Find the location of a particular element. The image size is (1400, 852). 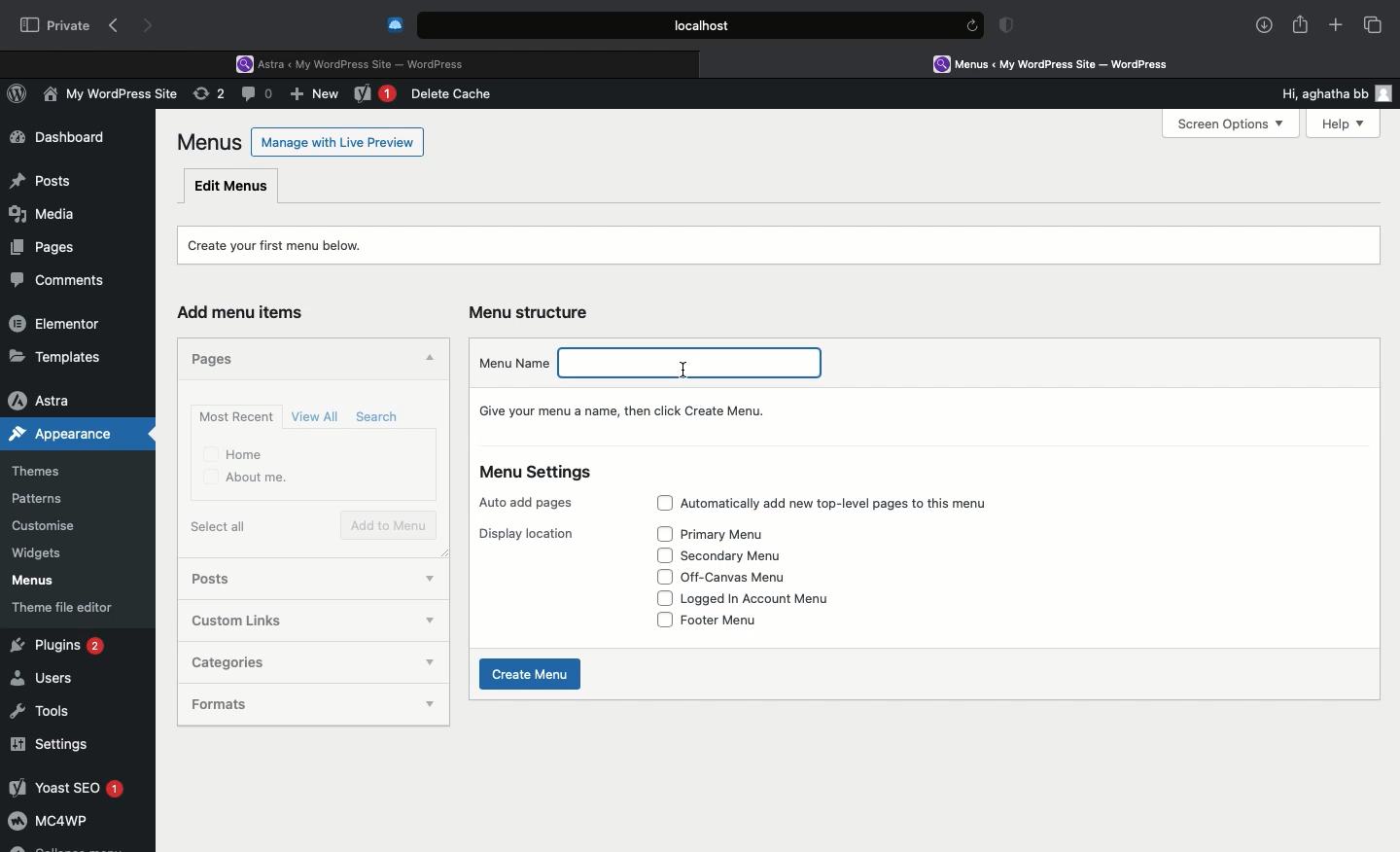

Home is located at coordinates (235, 453).